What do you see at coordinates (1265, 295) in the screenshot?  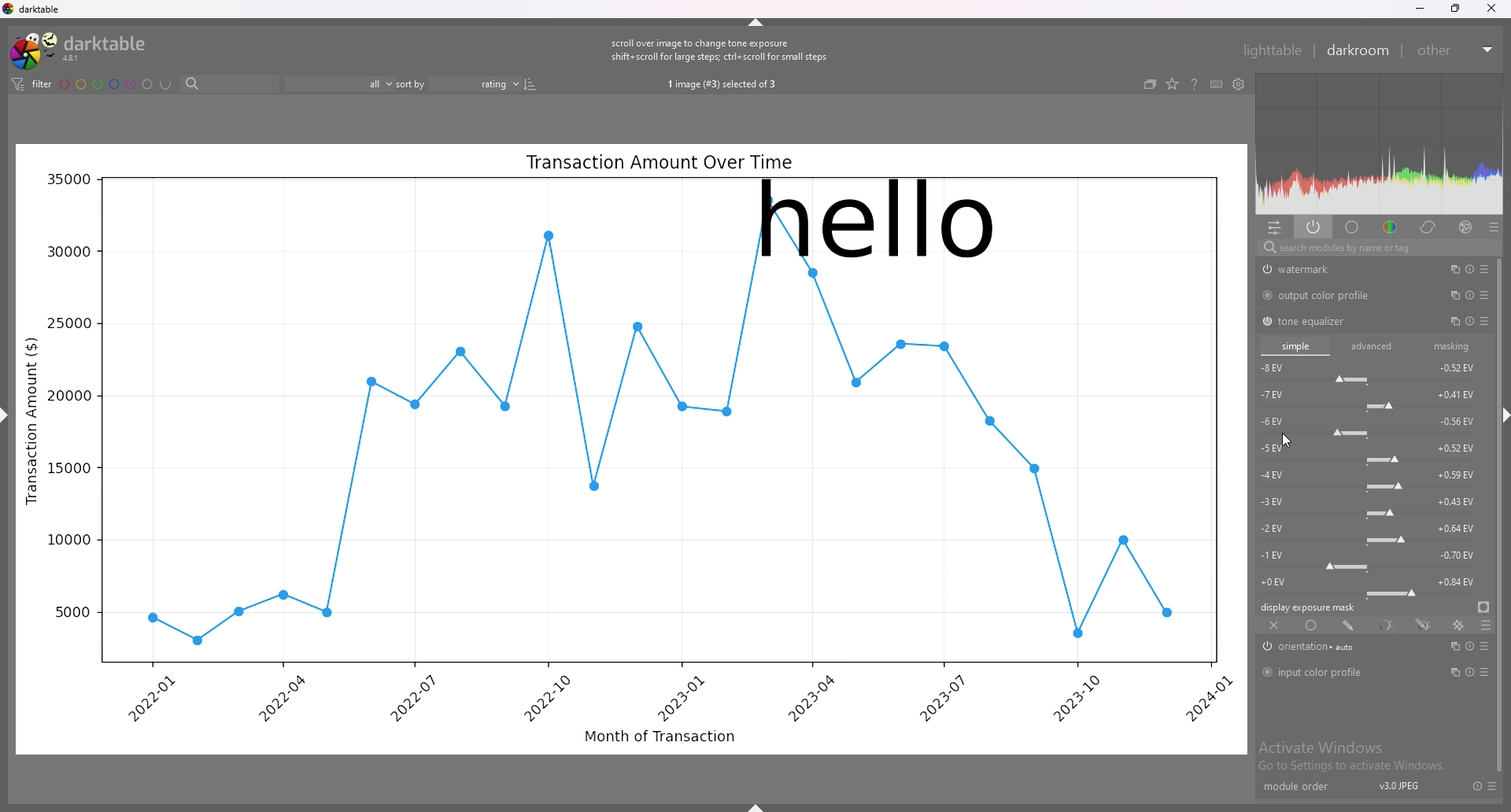 I see `switch off/on` at bounding box center [1265, 295].